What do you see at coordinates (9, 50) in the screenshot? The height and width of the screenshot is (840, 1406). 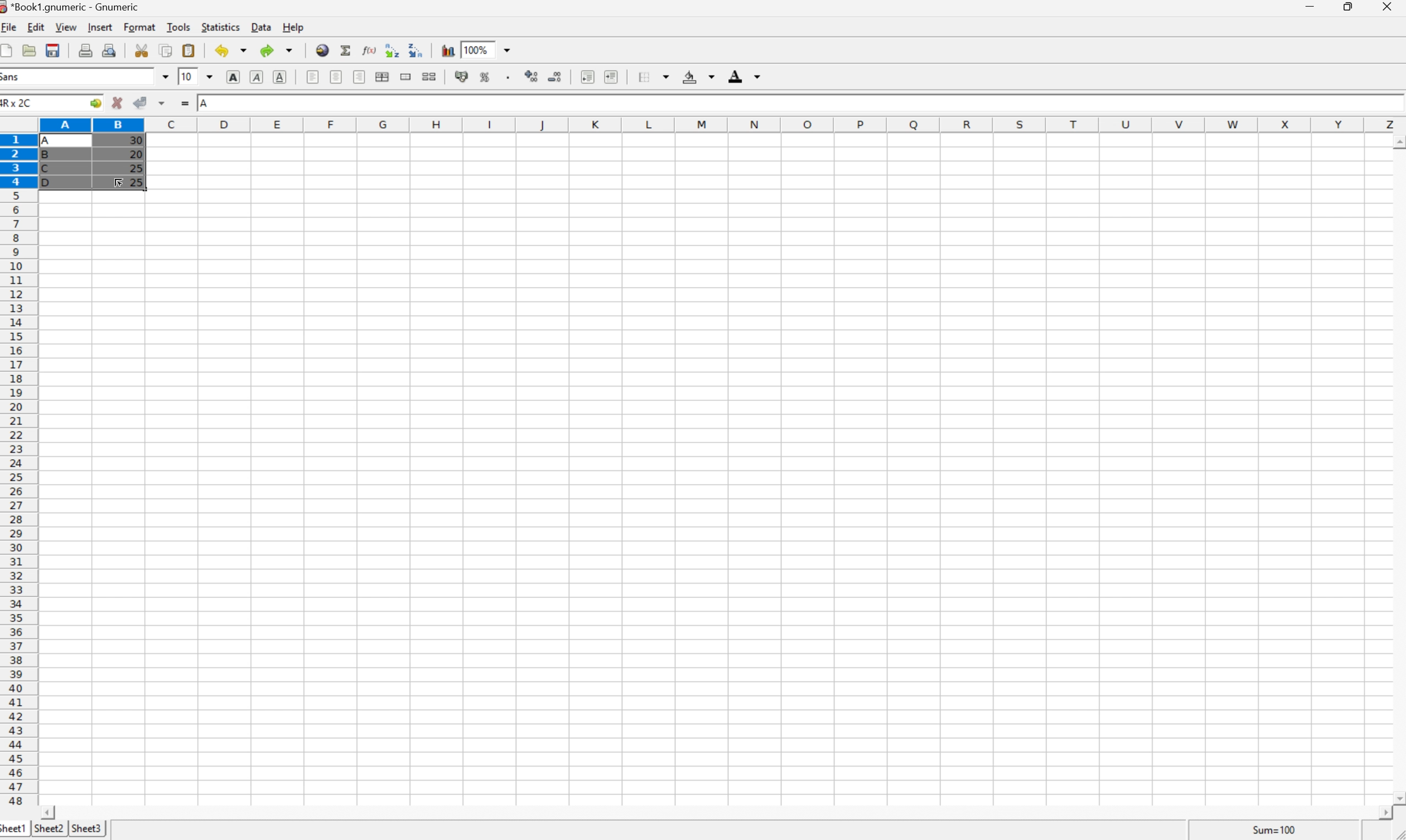 I see `Create a new workbook` at bounding box center [9, 50].